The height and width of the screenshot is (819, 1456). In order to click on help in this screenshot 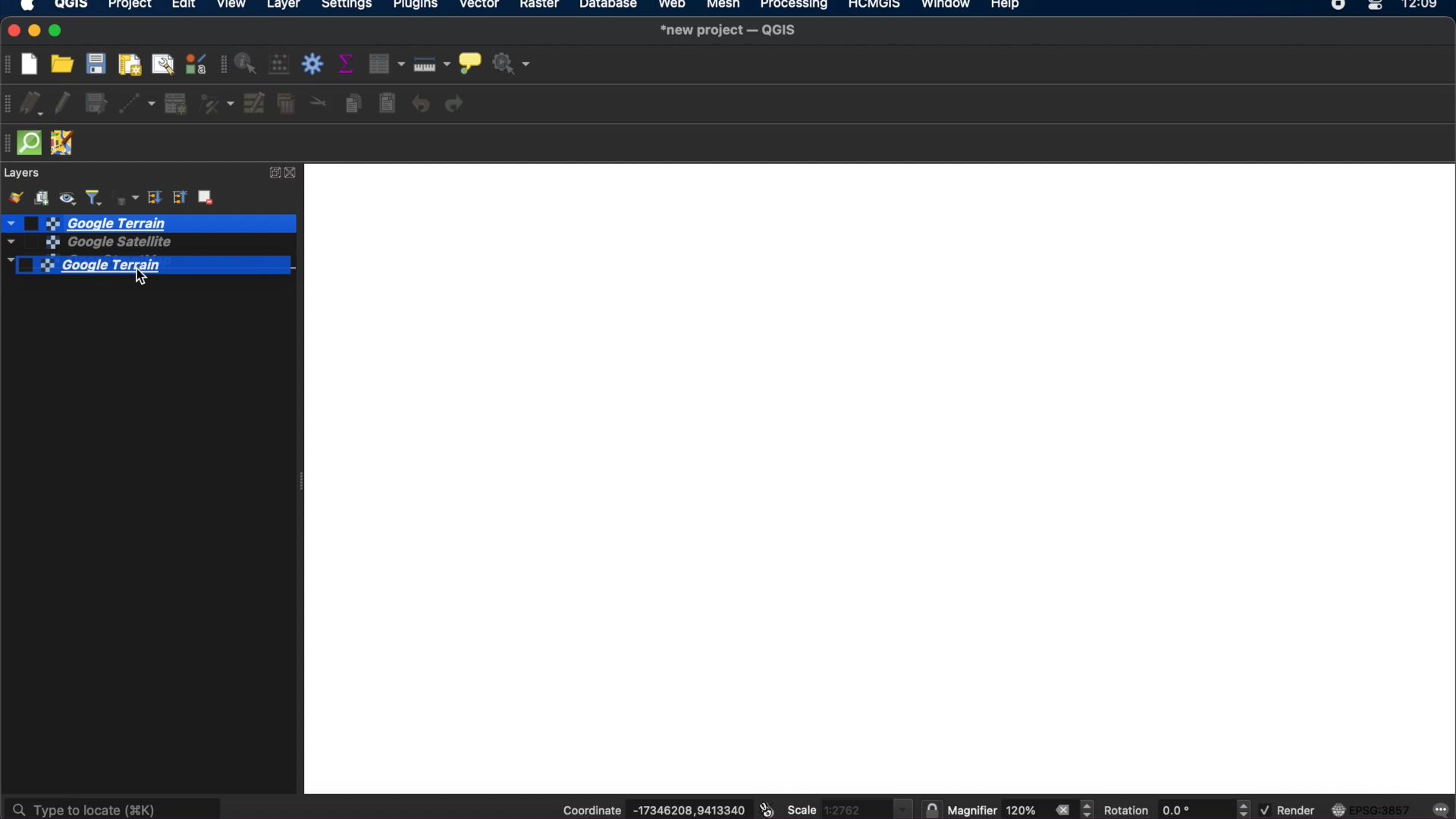, I will do `click(1008, 7)`.